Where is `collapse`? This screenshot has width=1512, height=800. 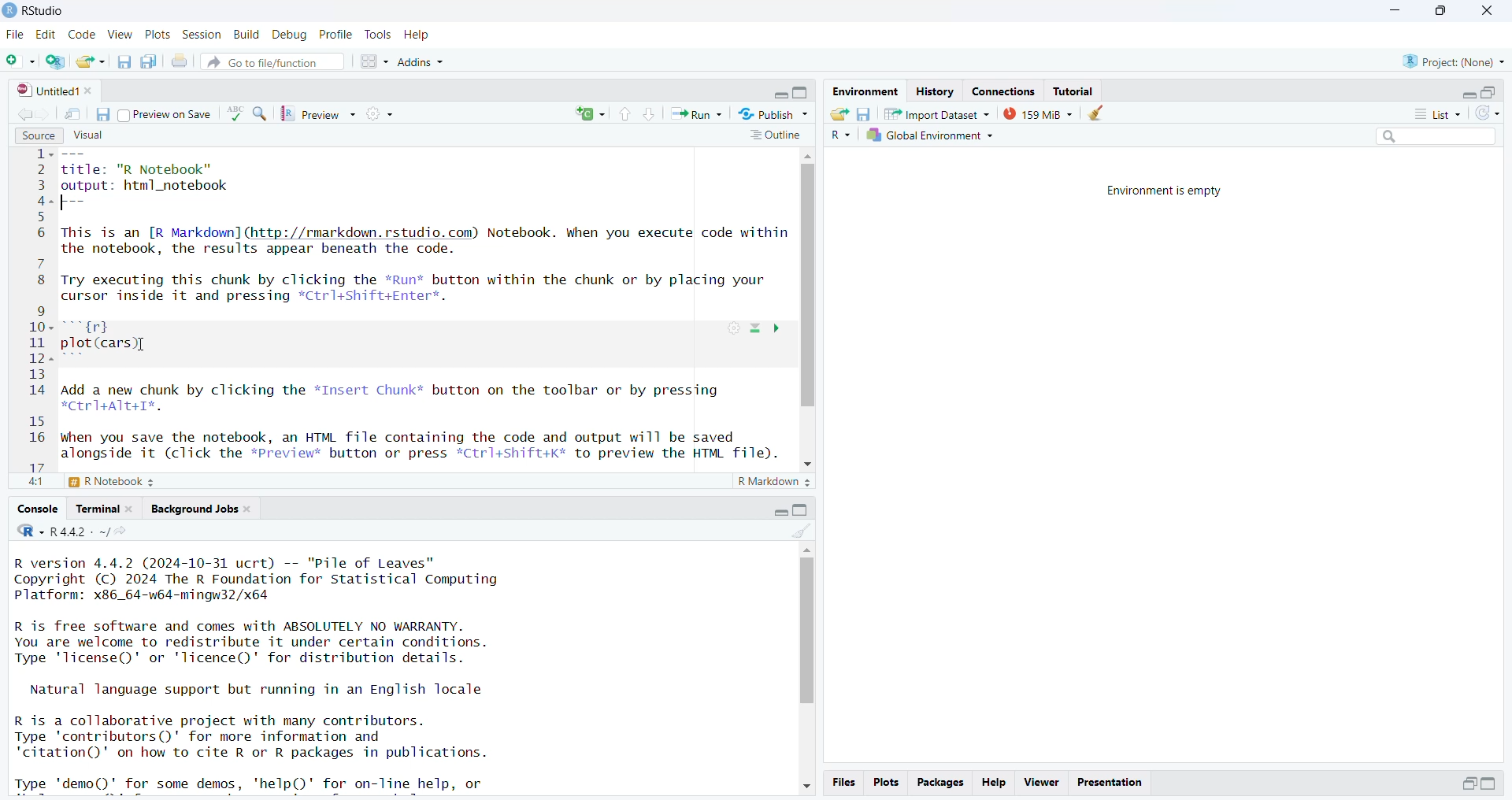
collapse is located at coordinates (1492, 92).